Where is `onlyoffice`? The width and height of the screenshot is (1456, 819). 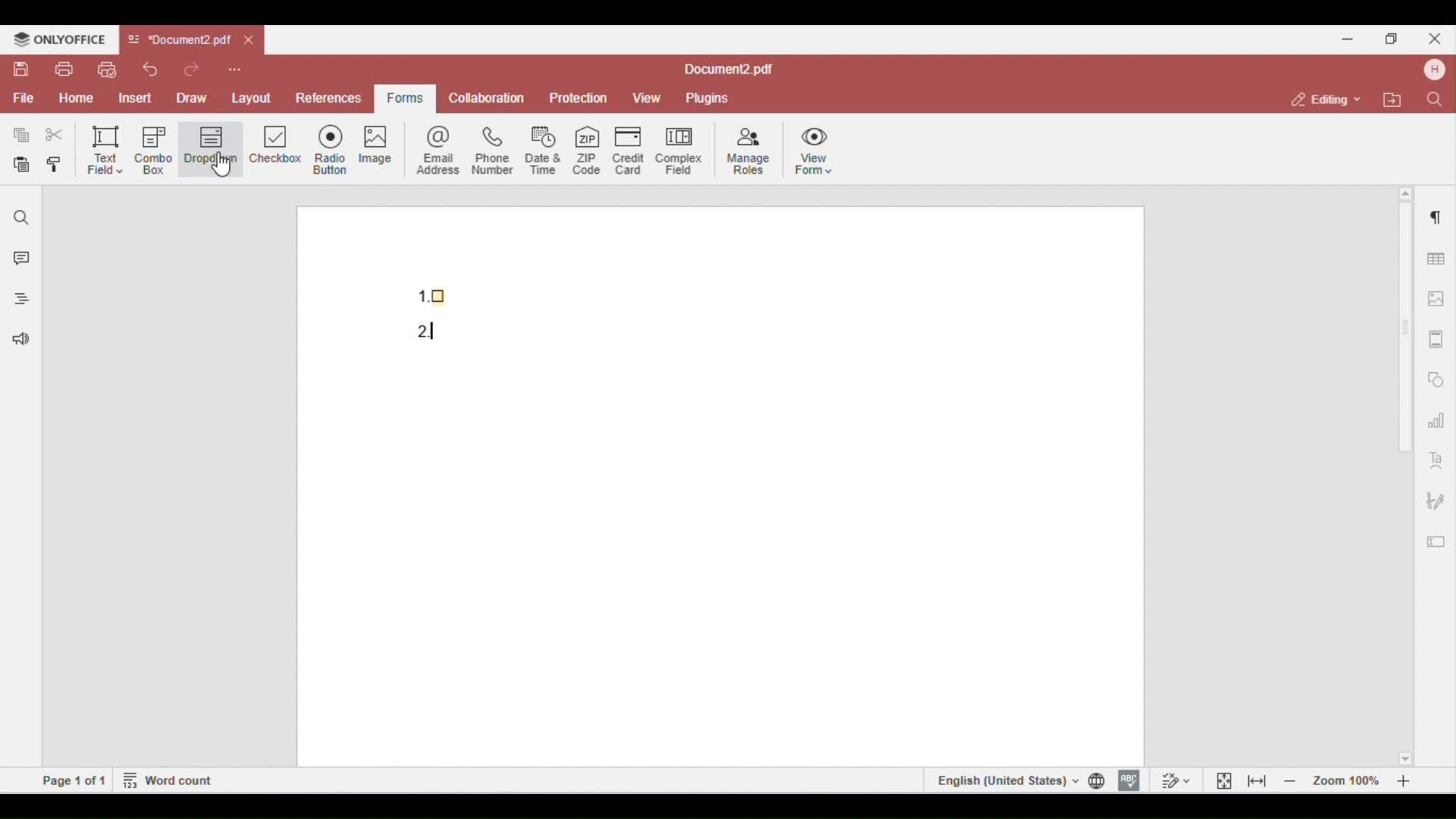 onlyoffice is located at coordinates (59, 39).